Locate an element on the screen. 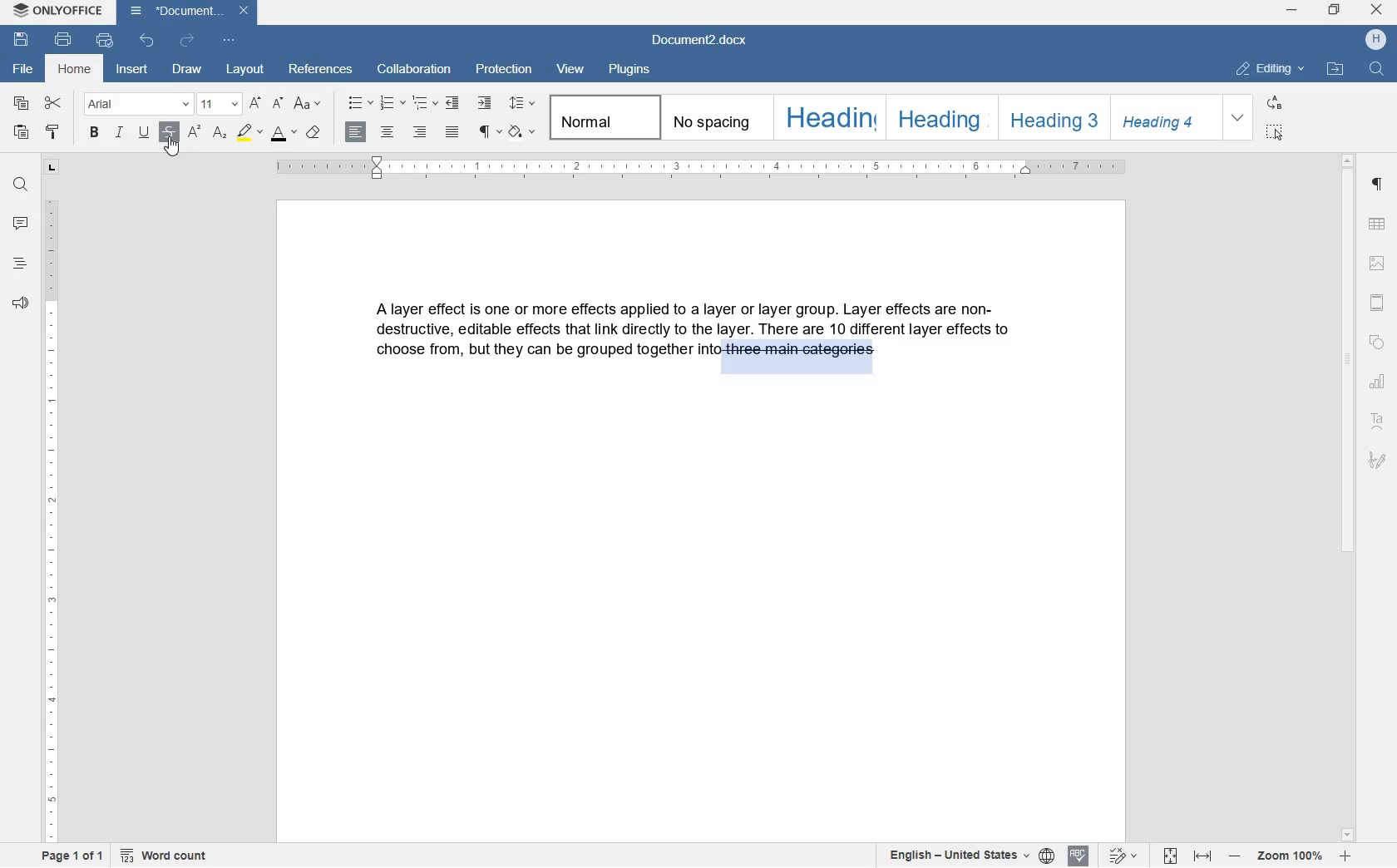  case style is located at coordinates (313, 131).